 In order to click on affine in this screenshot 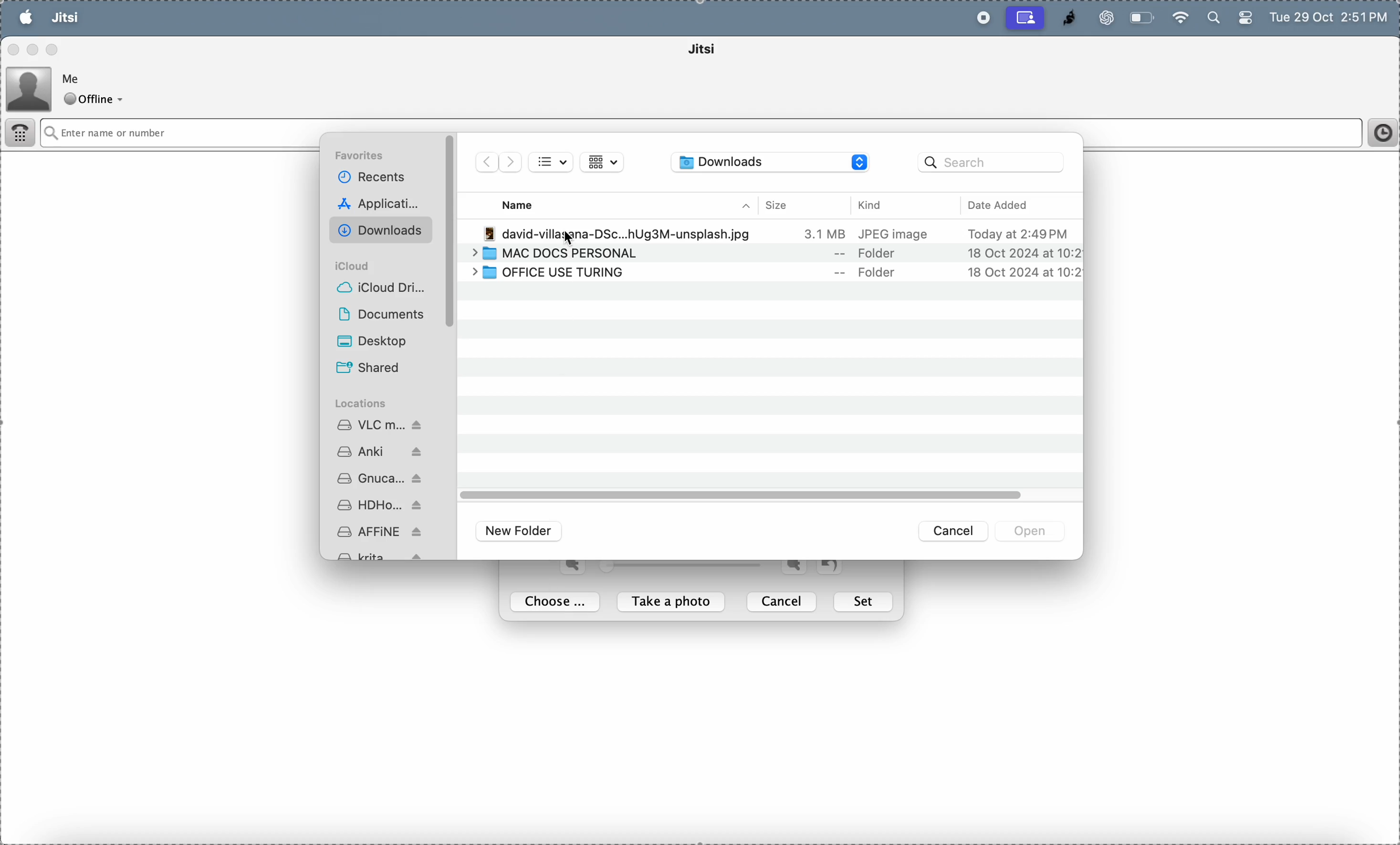, I will do `click(378, 532)`.